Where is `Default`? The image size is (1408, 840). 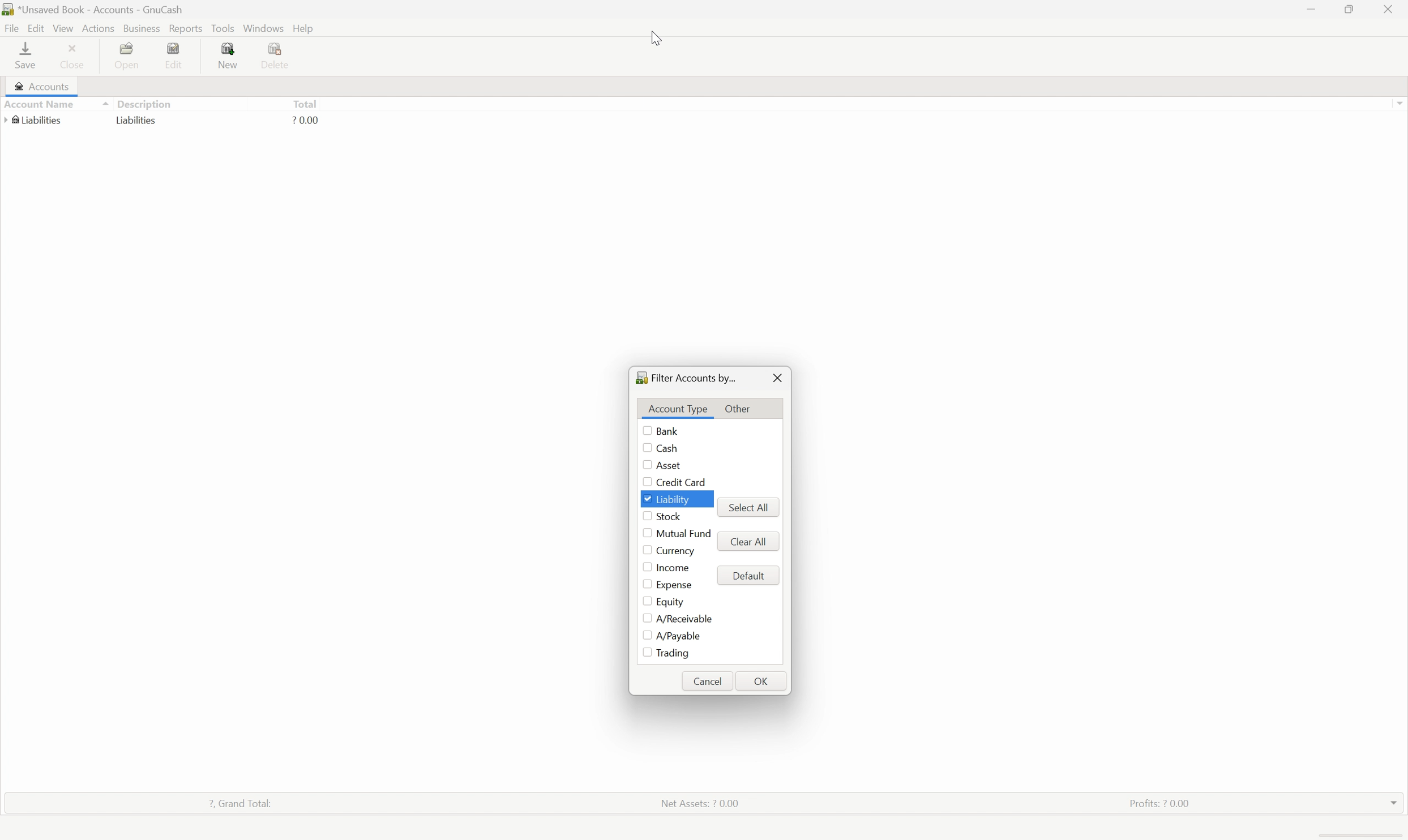
Default is located at coordinates (749, 576).